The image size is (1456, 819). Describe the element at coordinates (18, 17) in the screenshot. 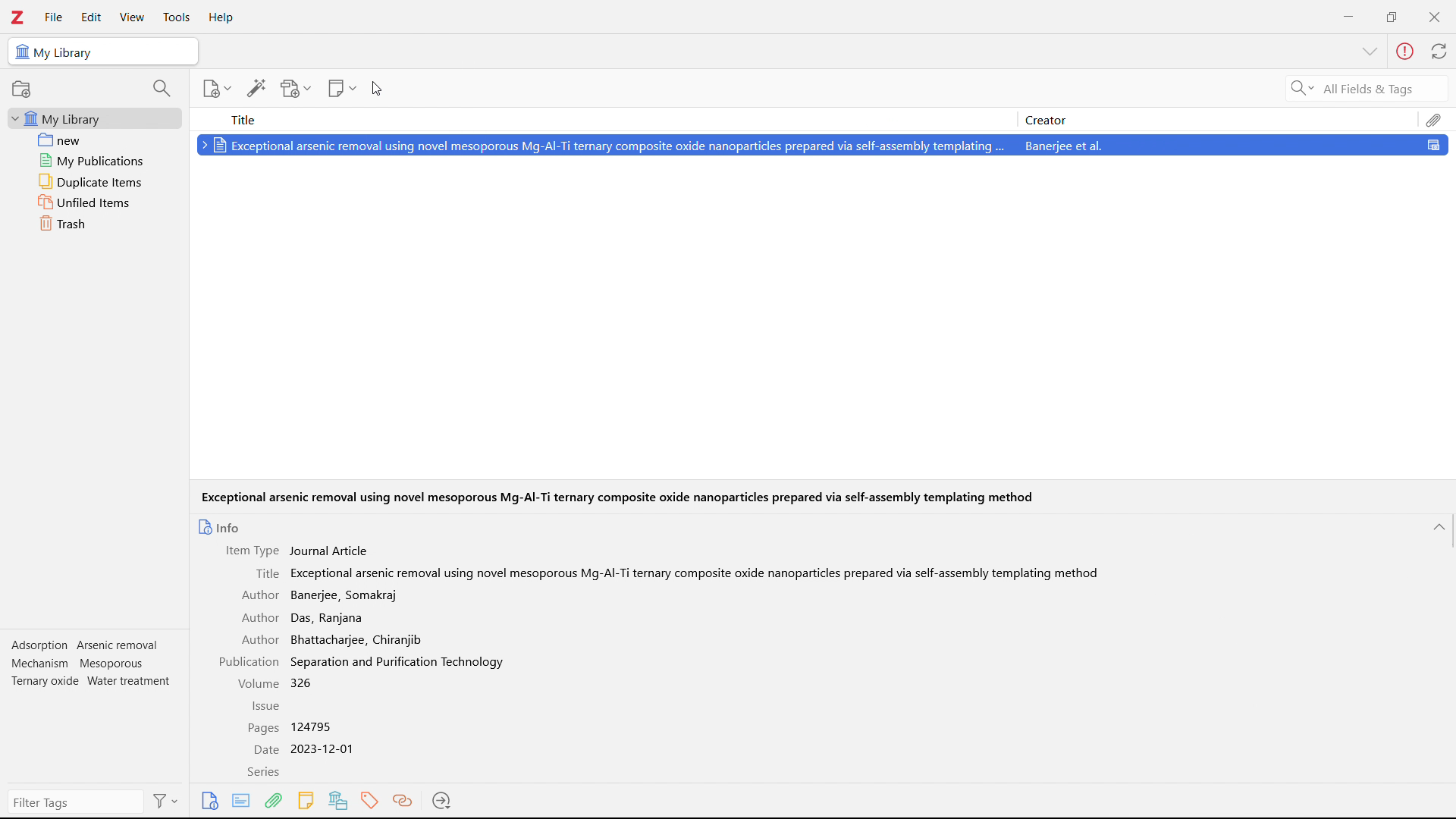

I see `logo` at that location.